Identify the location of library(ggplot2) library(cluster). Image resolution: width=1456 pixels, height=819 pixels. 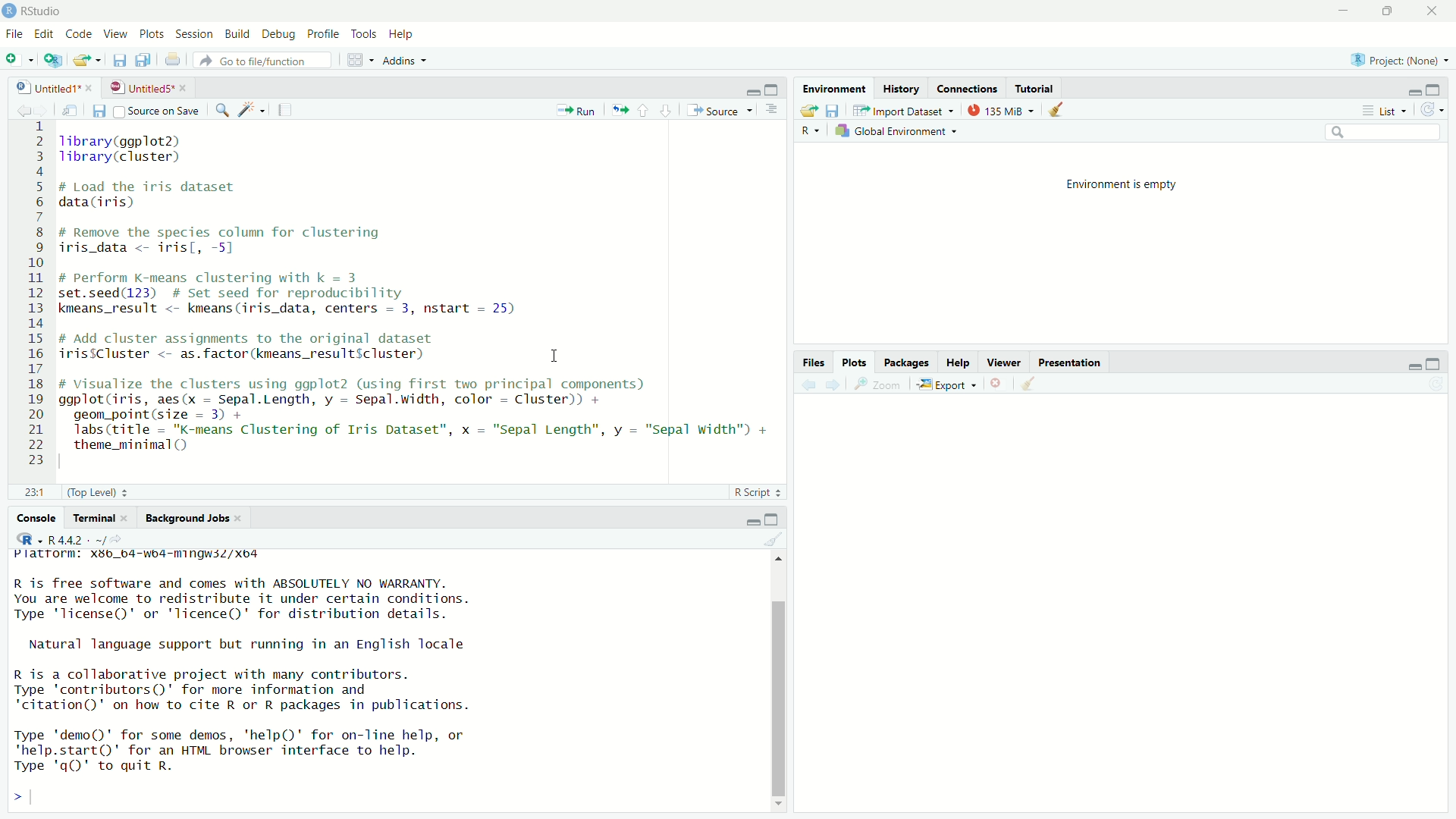
(148, 149).